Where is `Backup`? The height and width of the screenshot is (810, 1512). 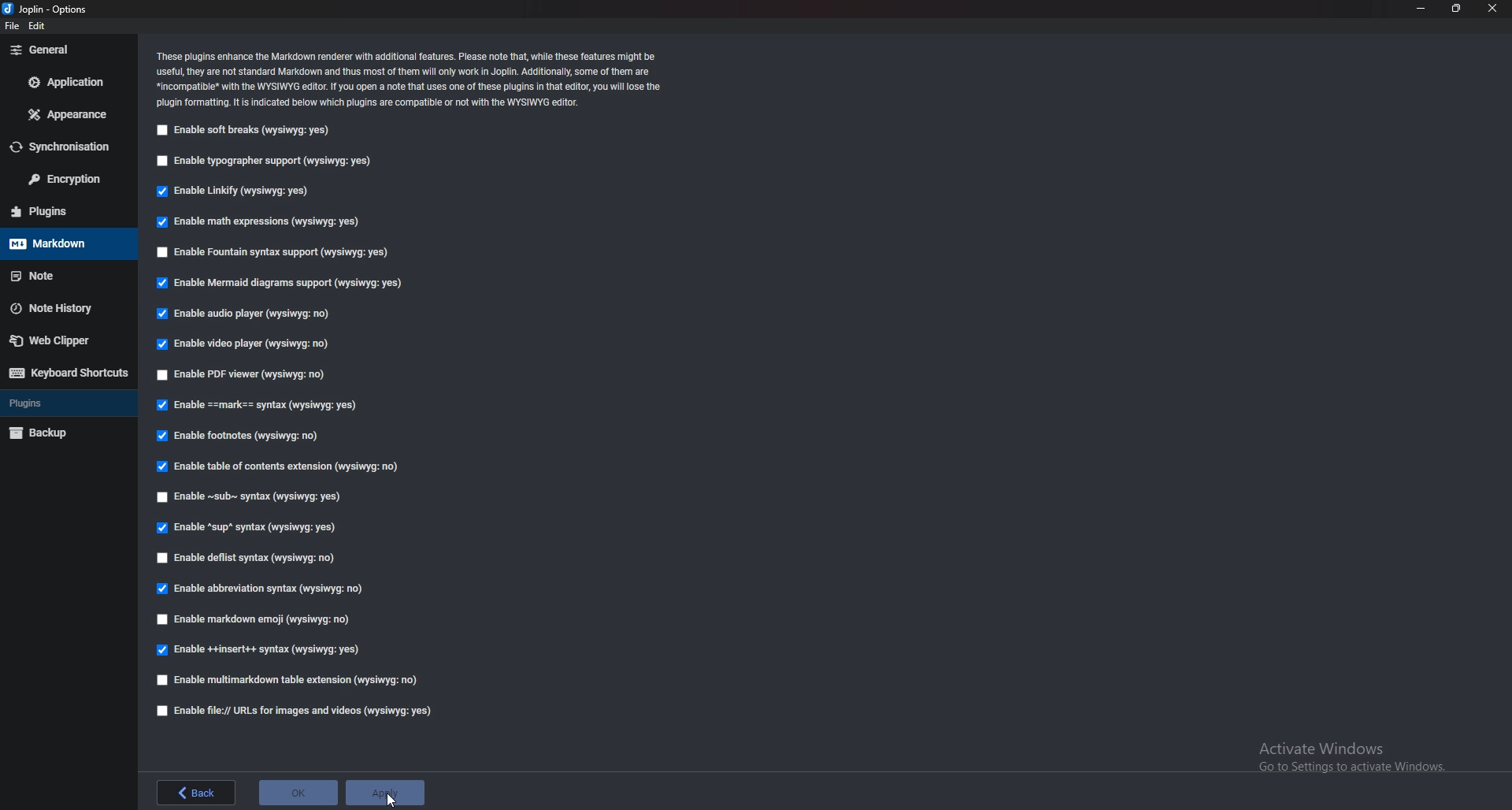 Backup is located at coordinates (60, 433).